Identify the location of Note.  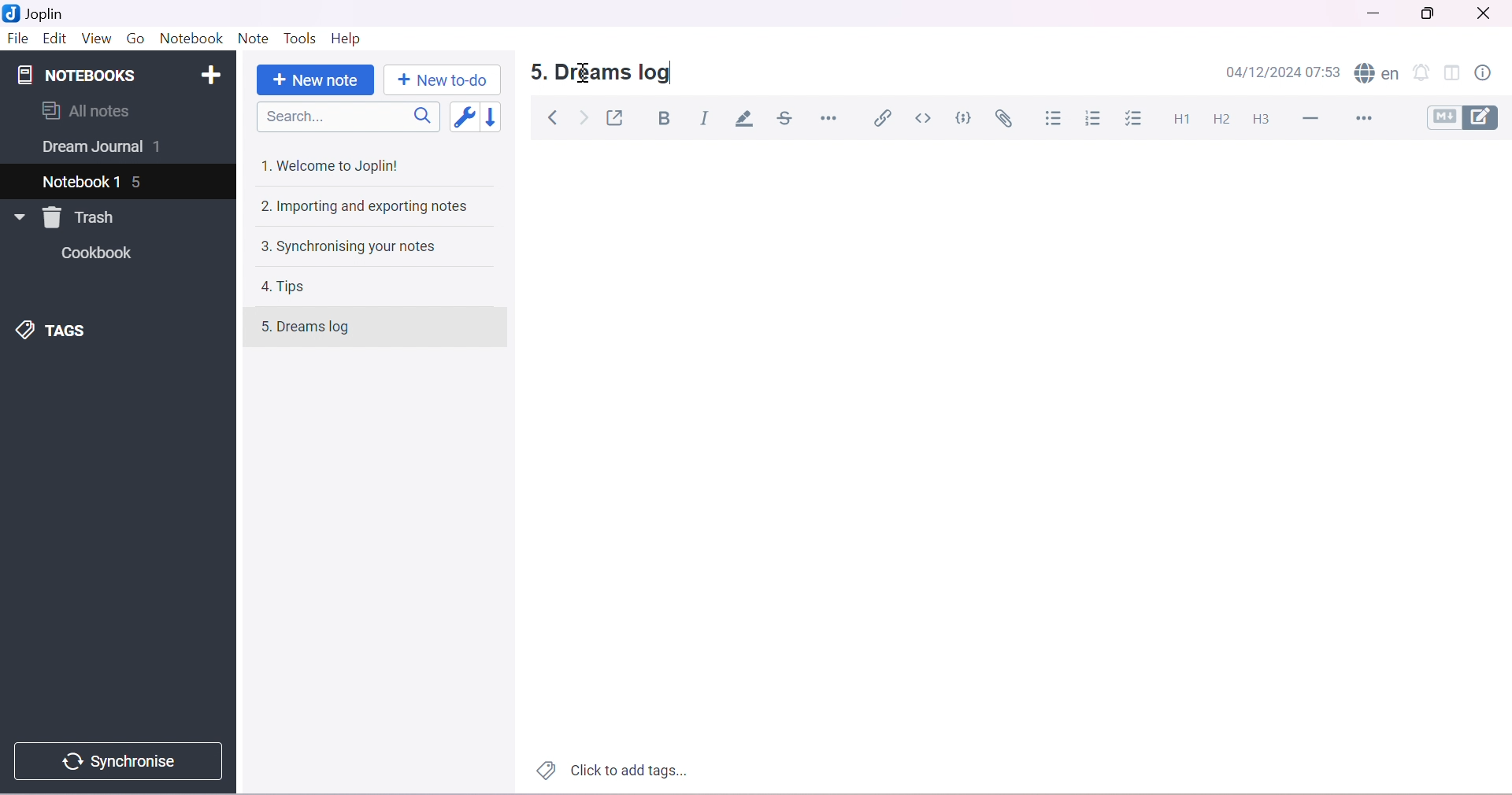
(252, 39).